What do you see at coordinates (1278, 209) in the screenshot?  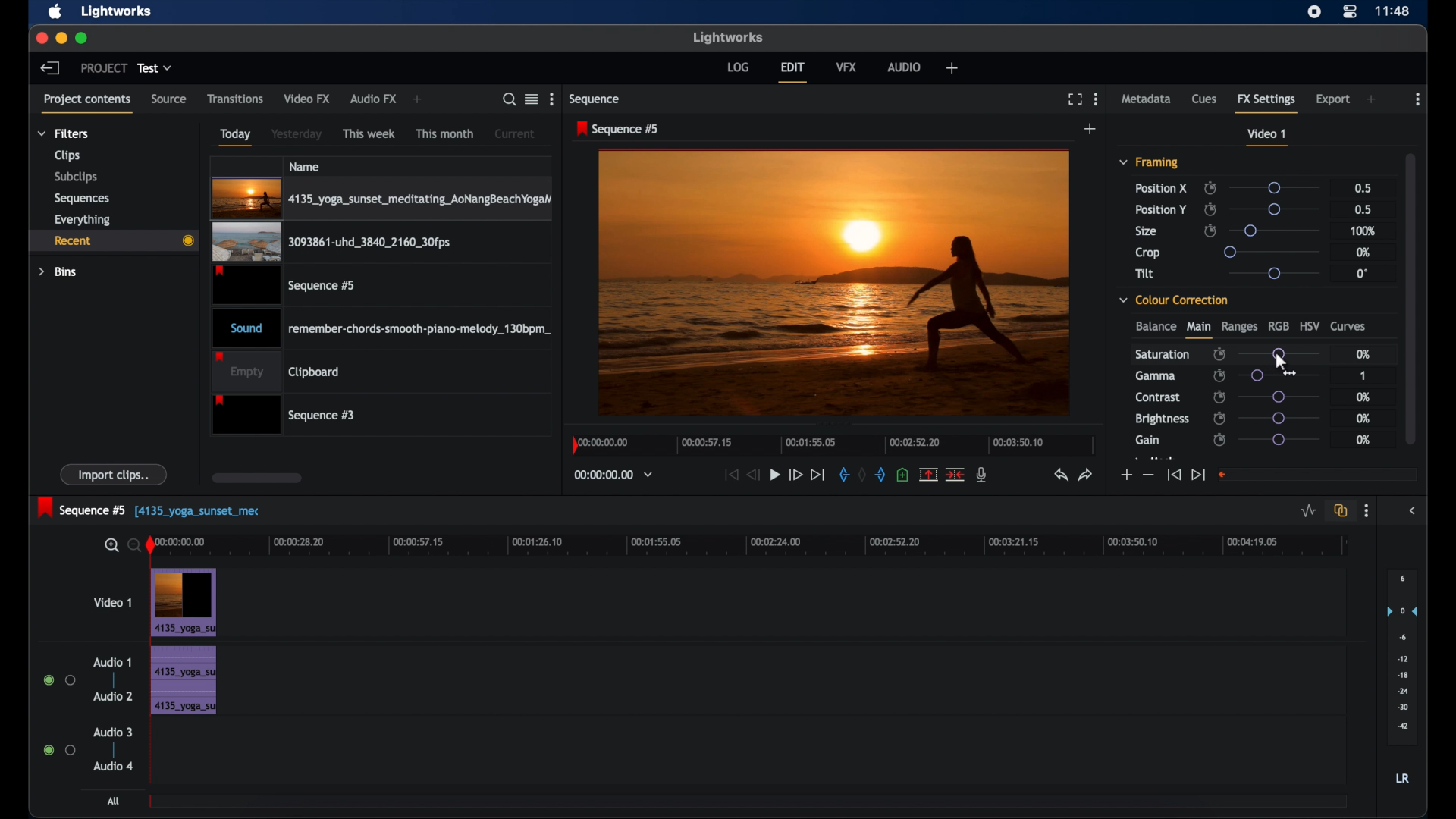 I see `slider` at bounding box center [1278, 209].